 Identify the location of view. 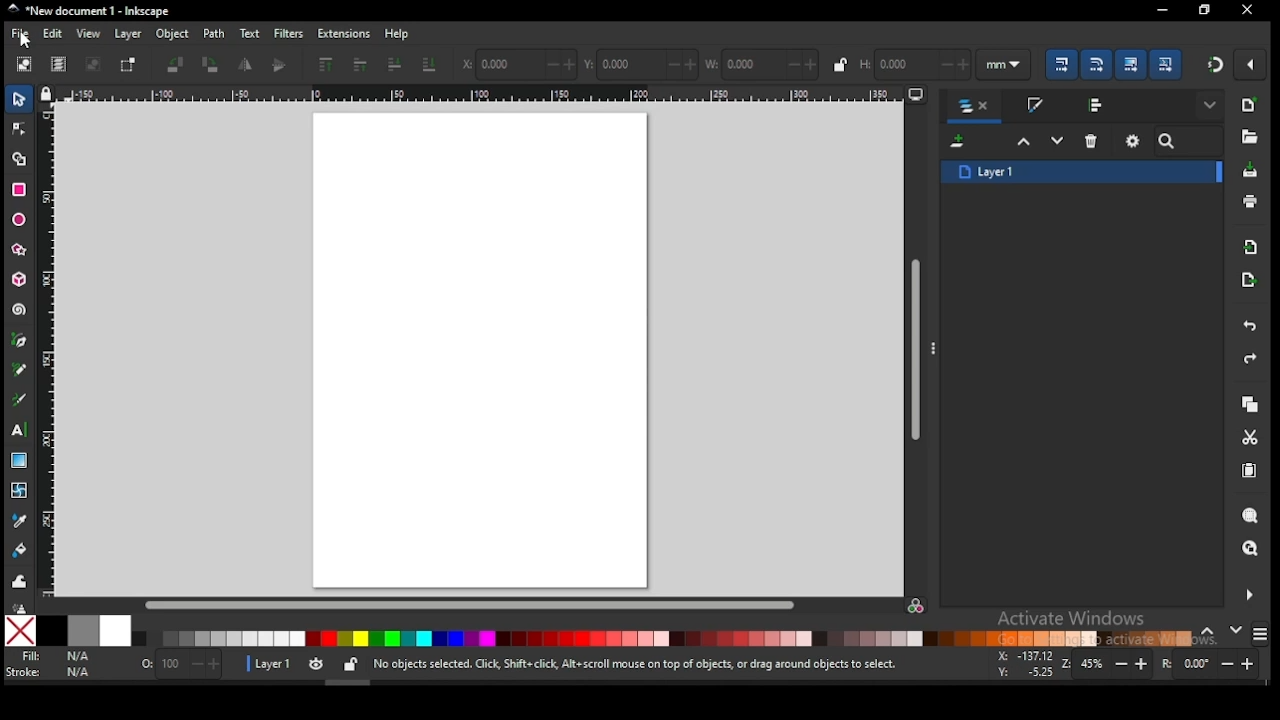
(91, 34).